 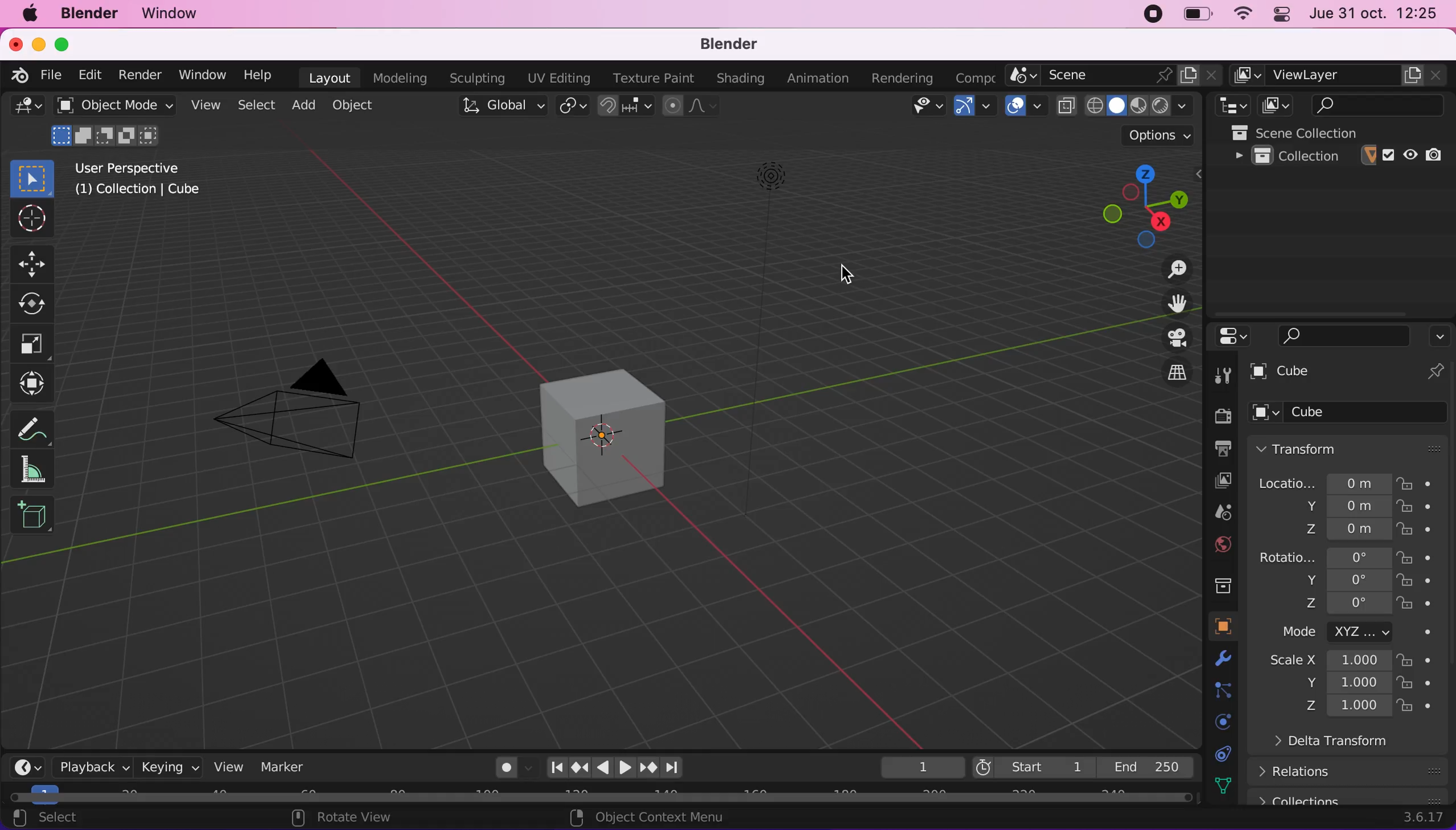 What do you see at coordinates (38, 343) in the screenshot?
I see `scale` at bounding box center [38, 343].